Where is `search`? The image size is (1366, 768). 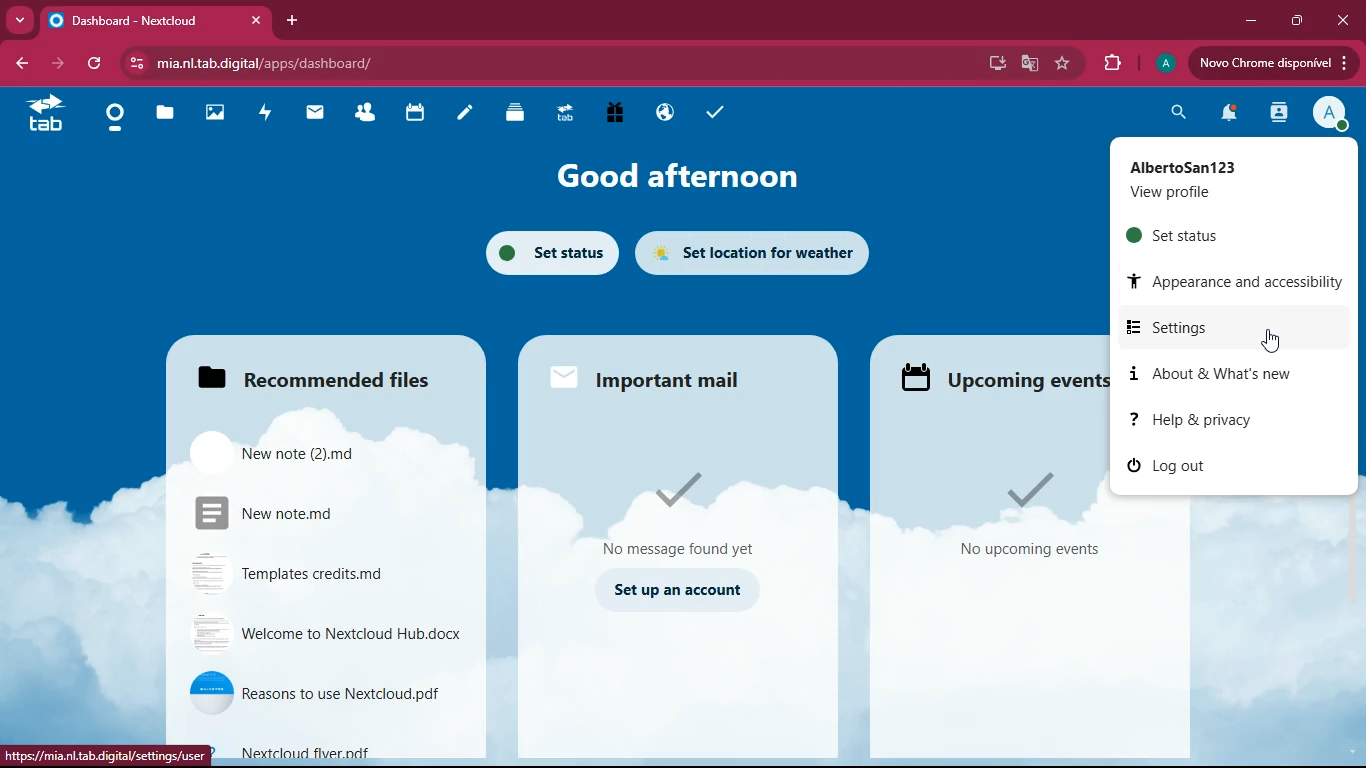 search is located at coordinates (1176, 115).